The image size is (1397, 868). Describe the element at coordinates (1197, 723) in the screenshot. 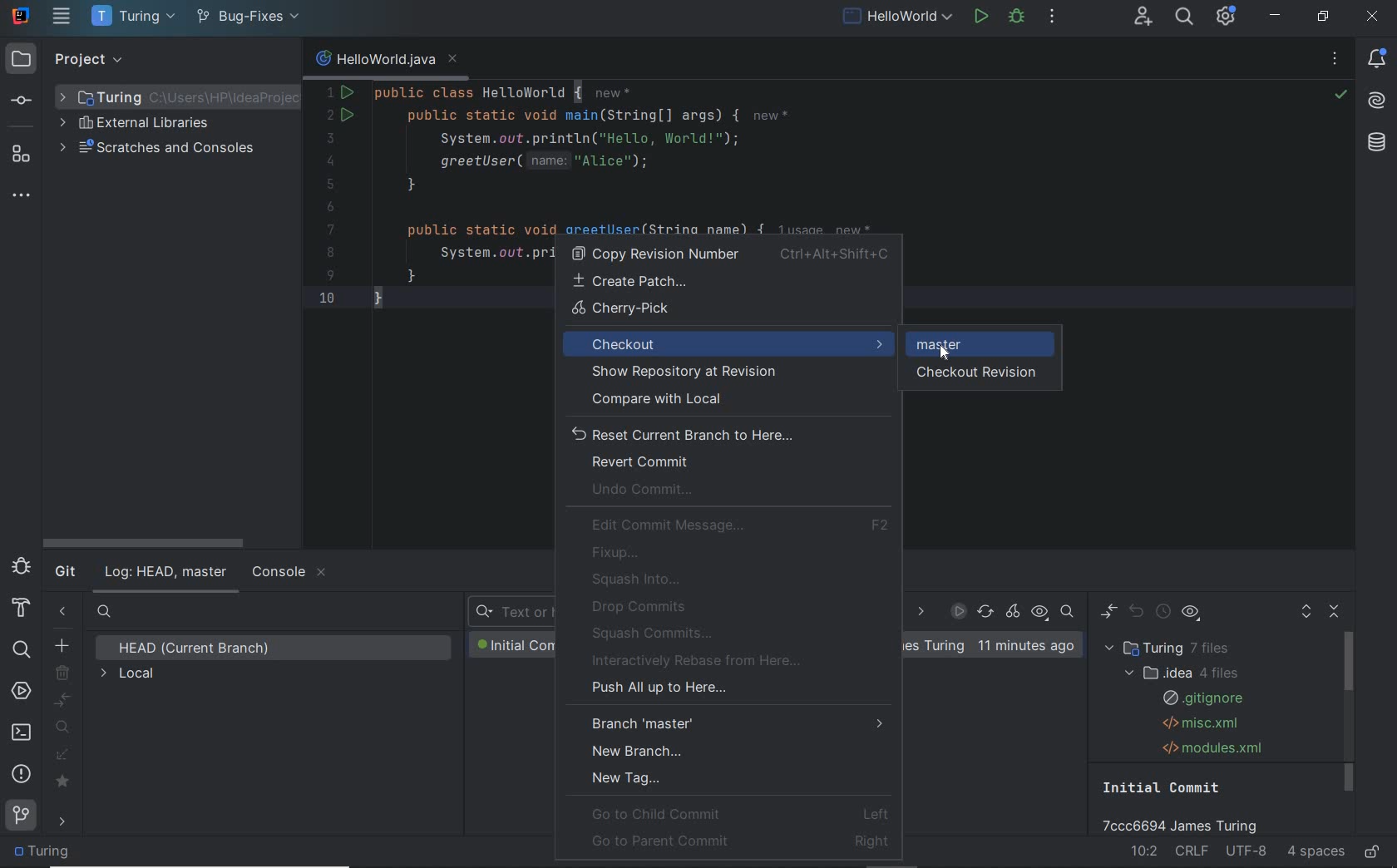

I see `.misc.xml` at that location.